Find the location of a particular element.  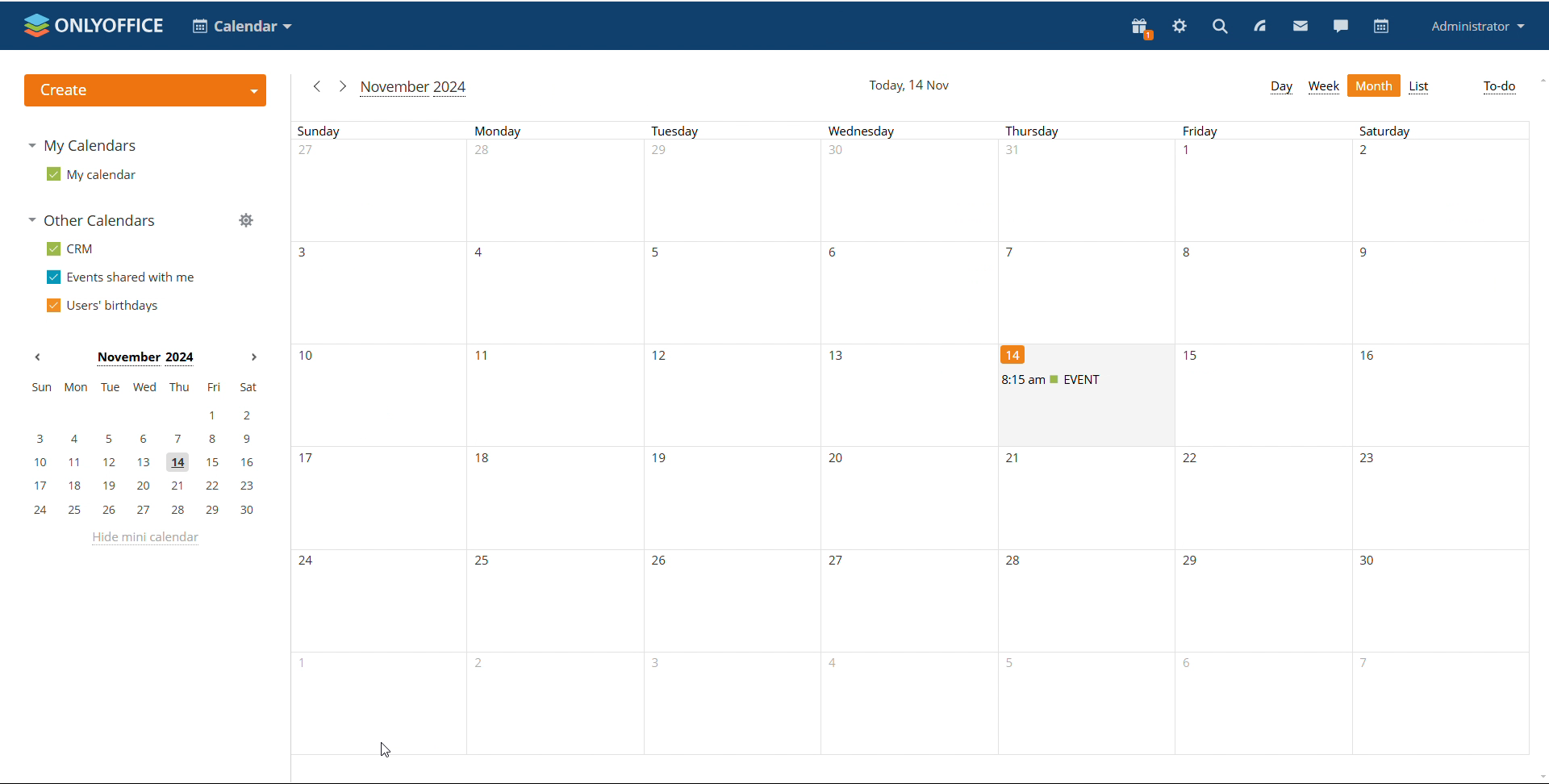

events shared with me is located at coordinates (121, 277).